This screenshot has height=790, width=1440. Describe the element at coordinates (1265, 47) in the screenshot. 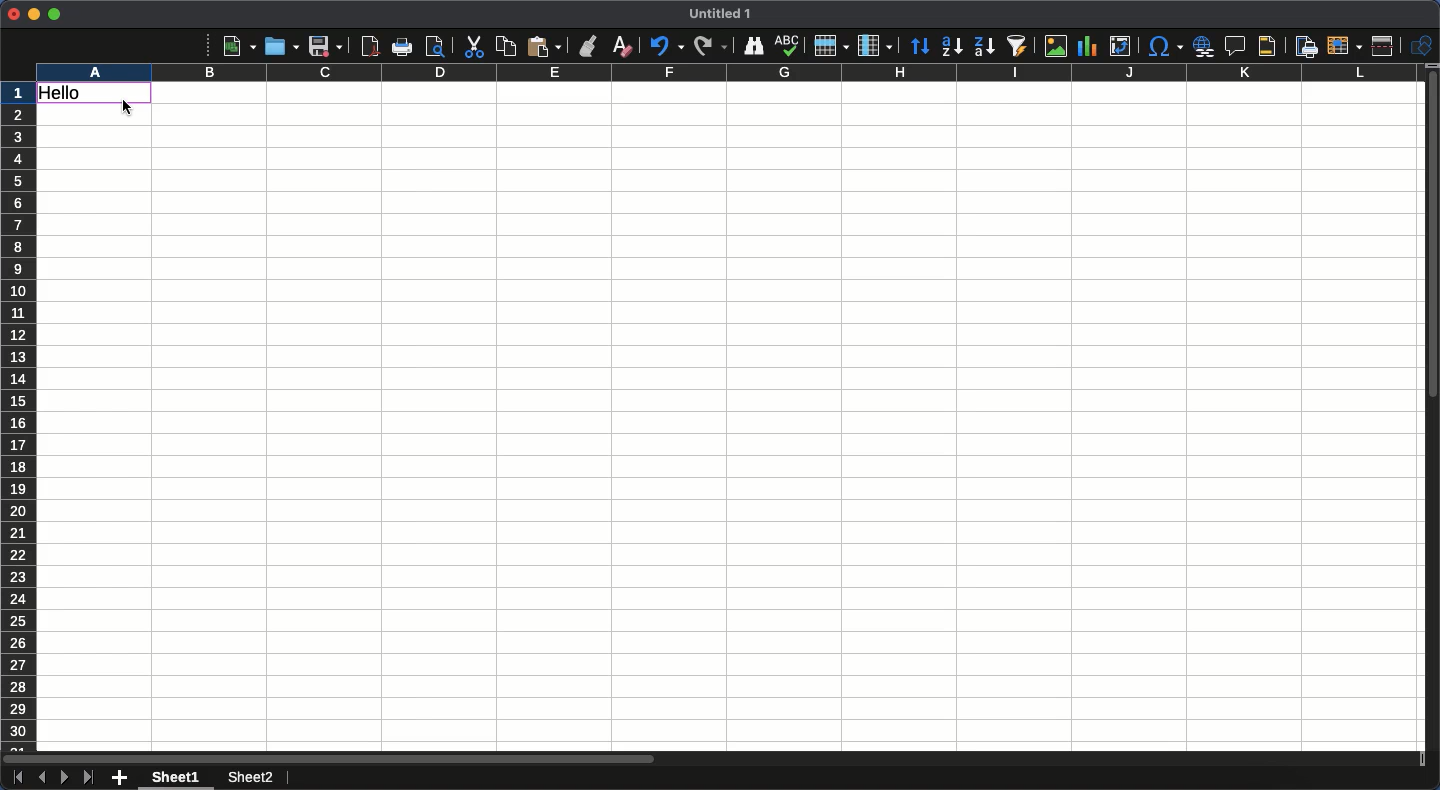

I see `Headers and footers` at that location.